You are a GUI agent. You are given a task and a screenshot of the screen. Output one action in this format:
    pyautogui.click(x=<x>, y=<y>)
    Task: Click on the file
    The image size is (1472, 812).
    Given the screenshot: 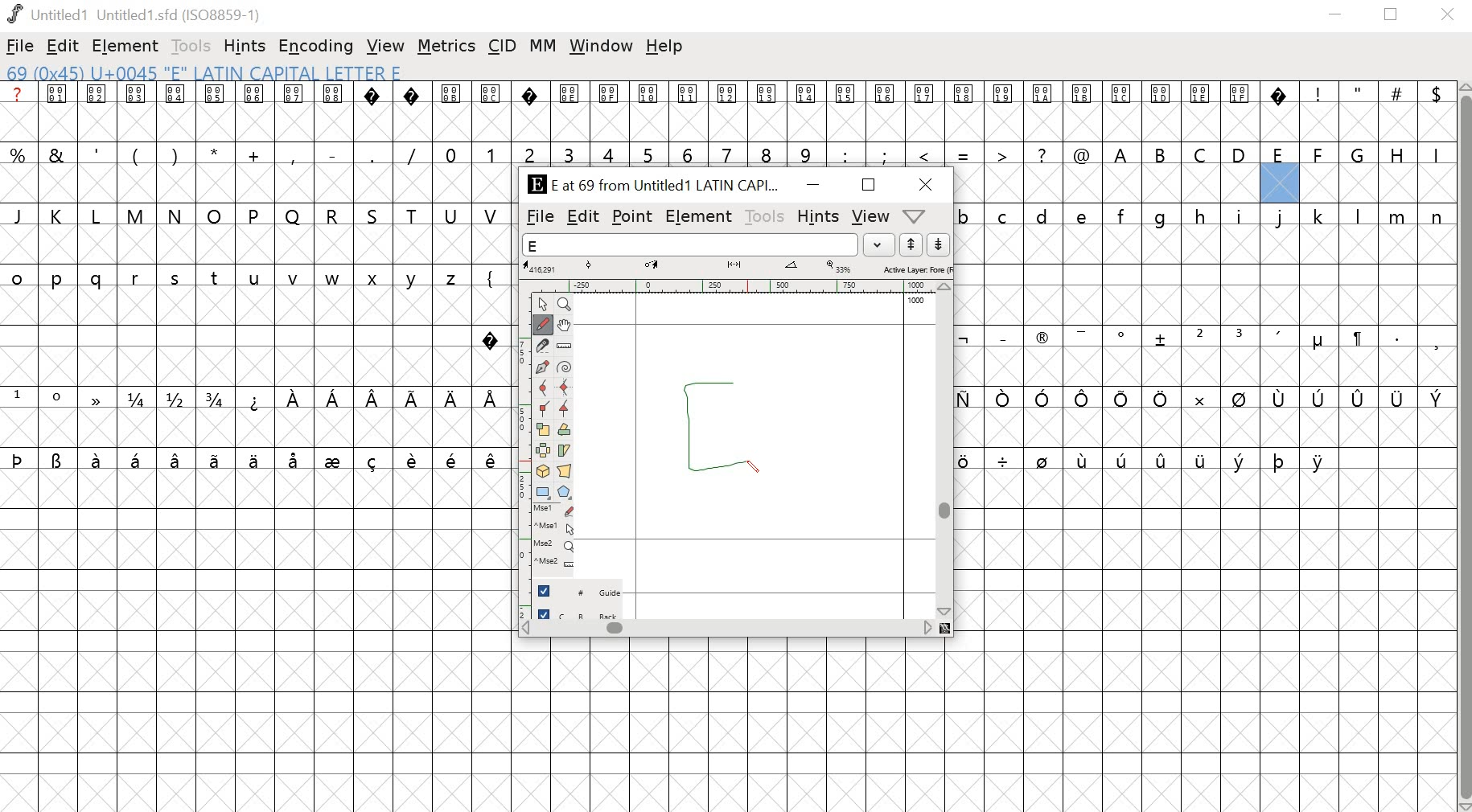 What is the action you would take?
    pyautogui.click(x=20, y=47)
    